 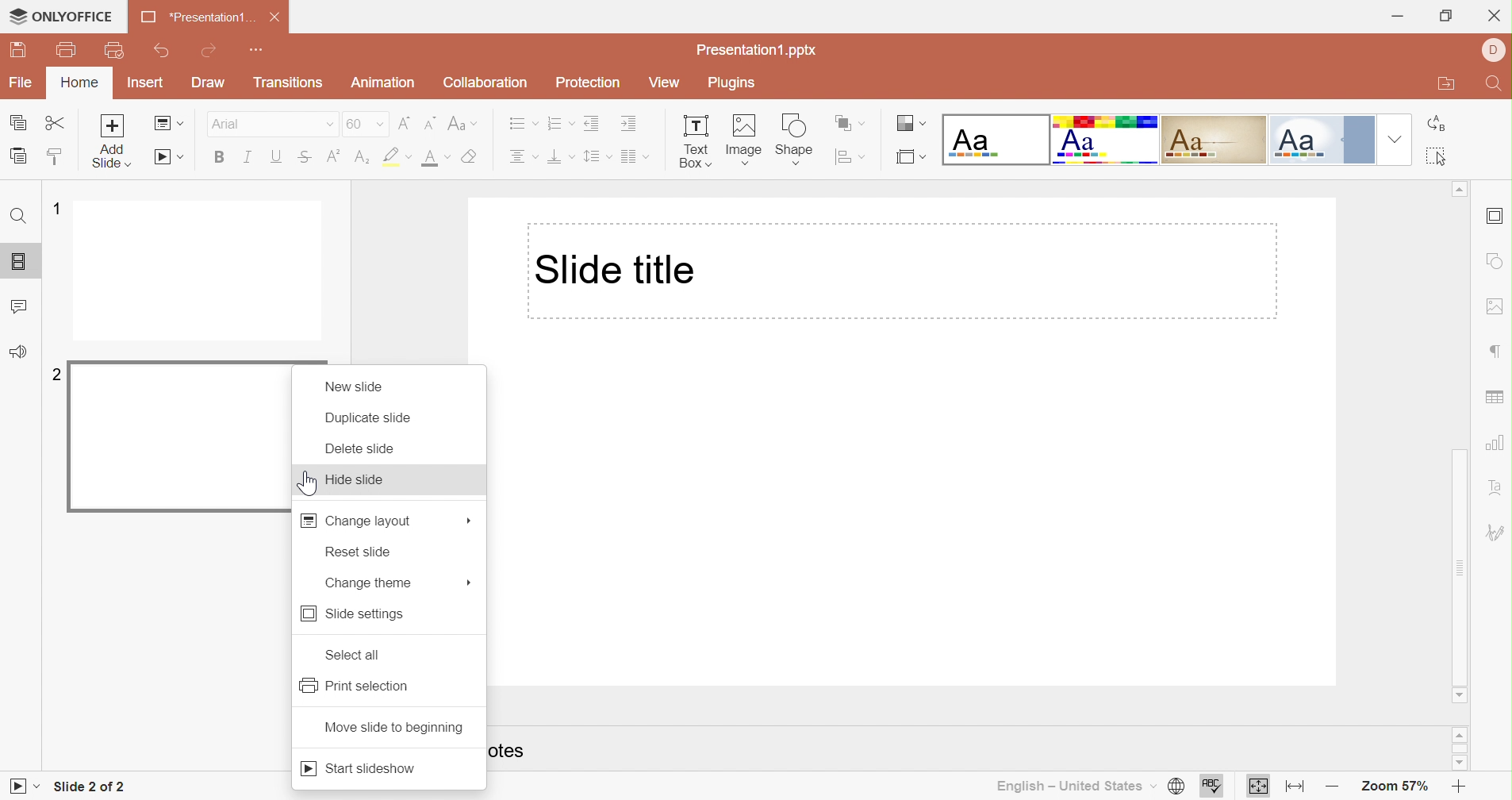 What do you see at coordinates (199, 271) in the screenshot?
I see `Slide 1` at bounding box center [199, 271].